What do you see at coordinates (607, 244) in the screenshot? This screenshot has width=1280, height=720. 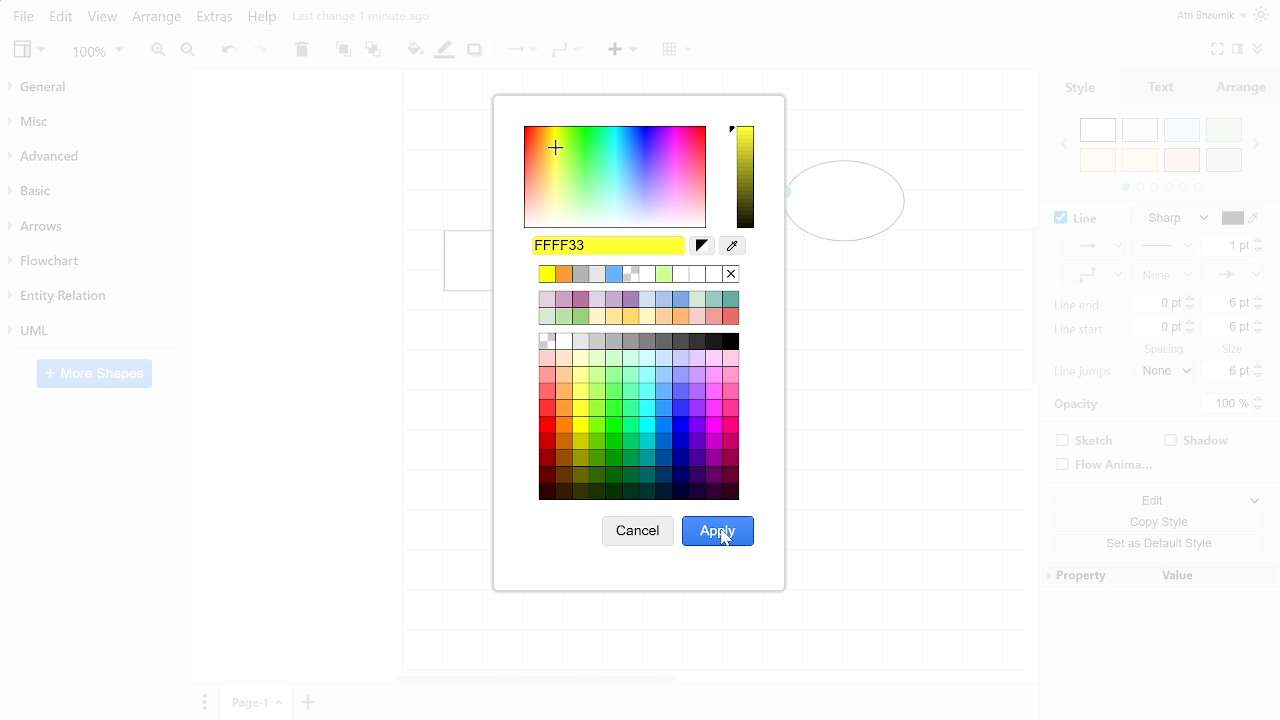 I see `Current color` at bounding box center [607, 244].